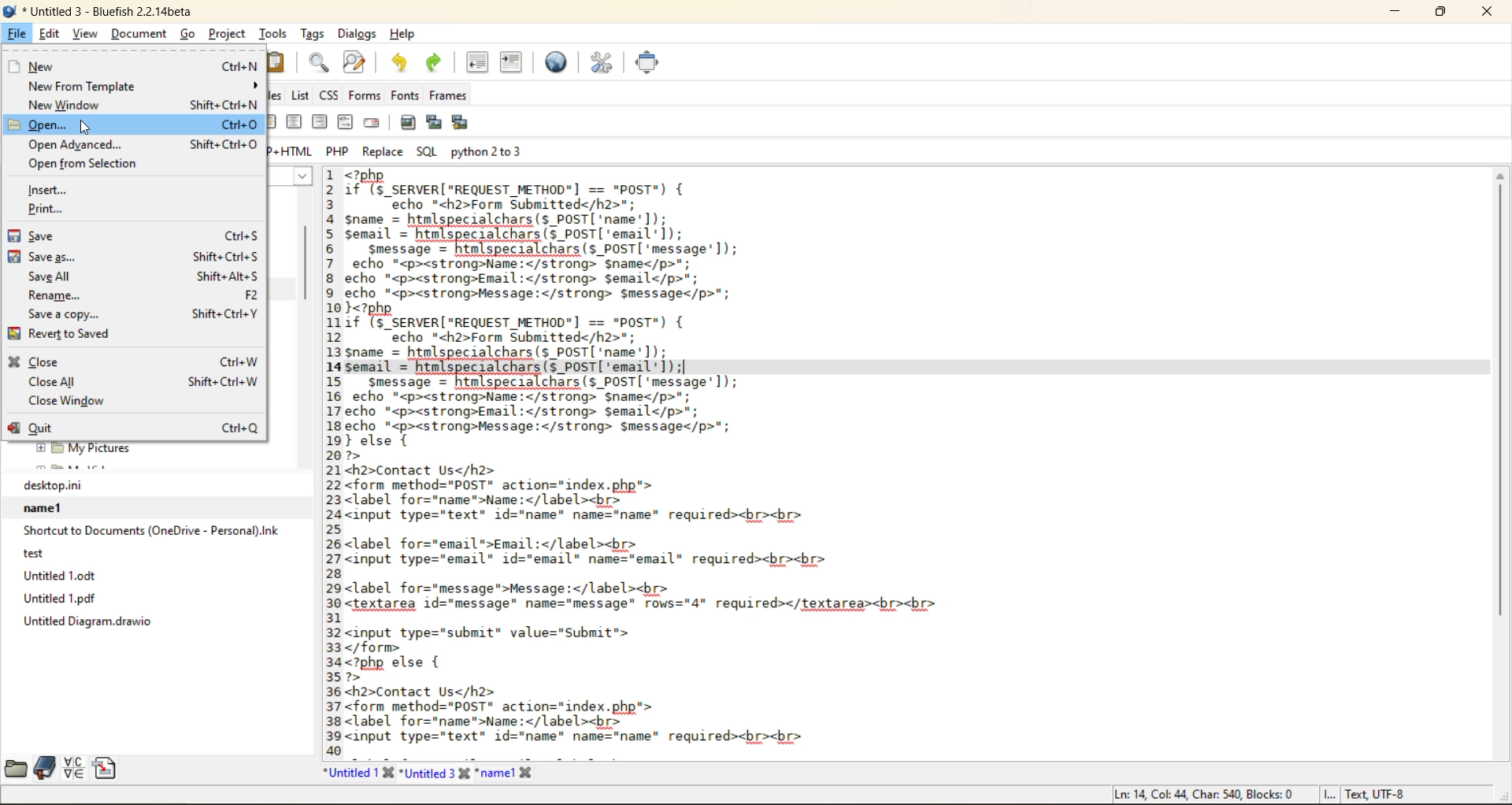 The image size is (1512, 805). What do you see at coordinates (157, 575) in the screenshot?
I see `Untitled 1.odt` at bounding box center [157, 575].